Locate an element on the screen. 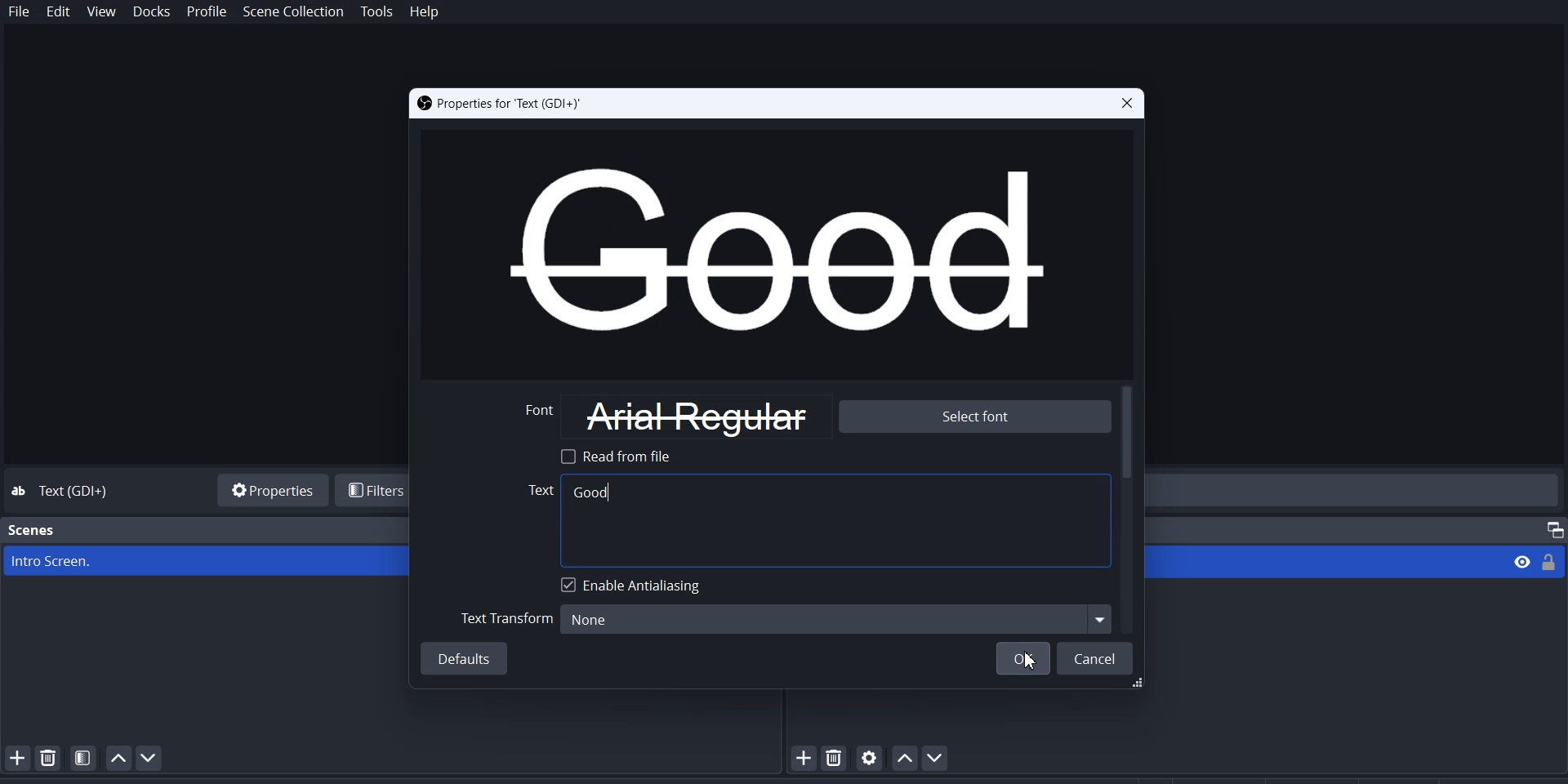  Read From file is located at coordinates (621, 456).